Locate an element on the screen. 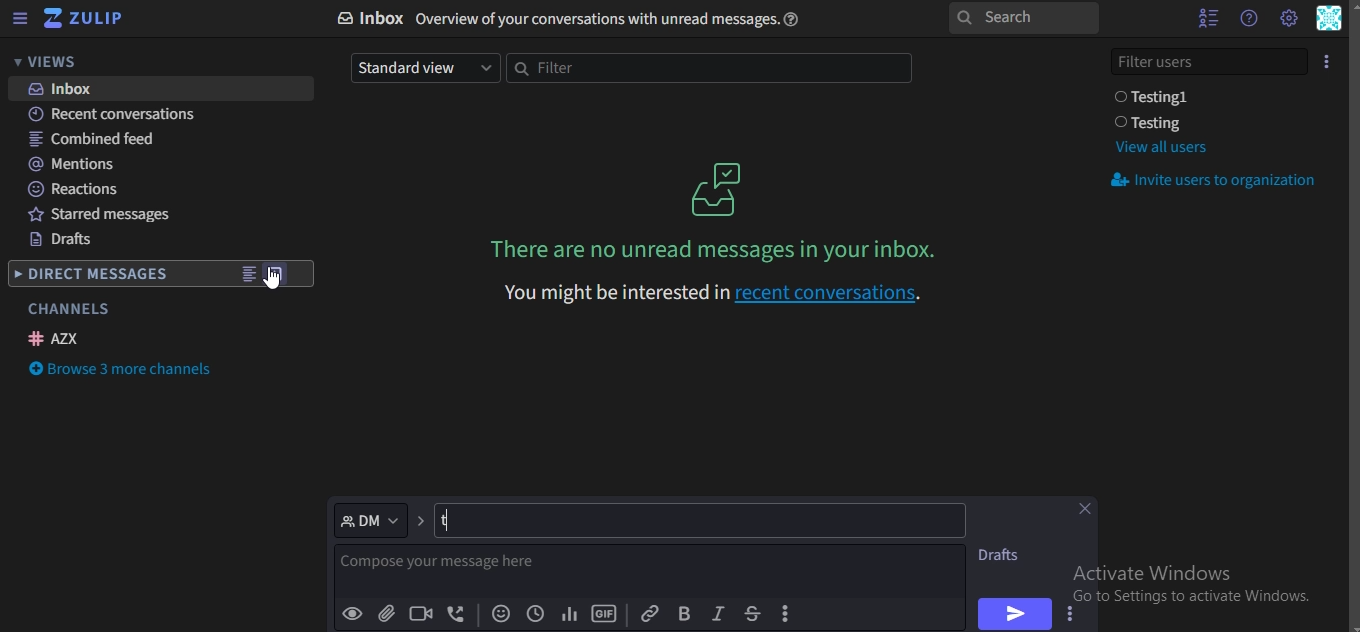 The height and width of the screenshot is (632, 1360). recent conversations. is located at coordinates (716, 292).